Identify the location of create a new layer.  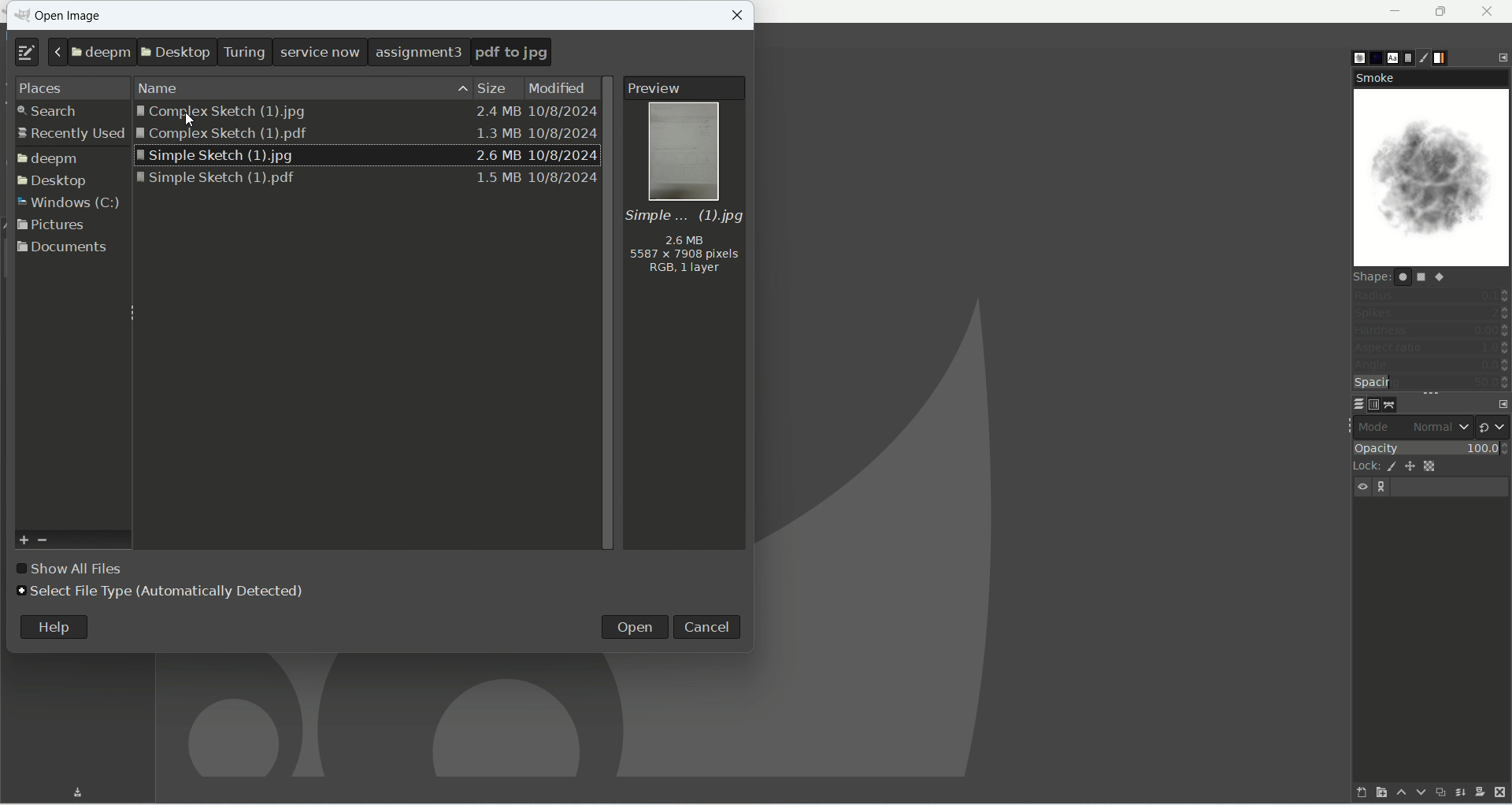
(1380, 793).